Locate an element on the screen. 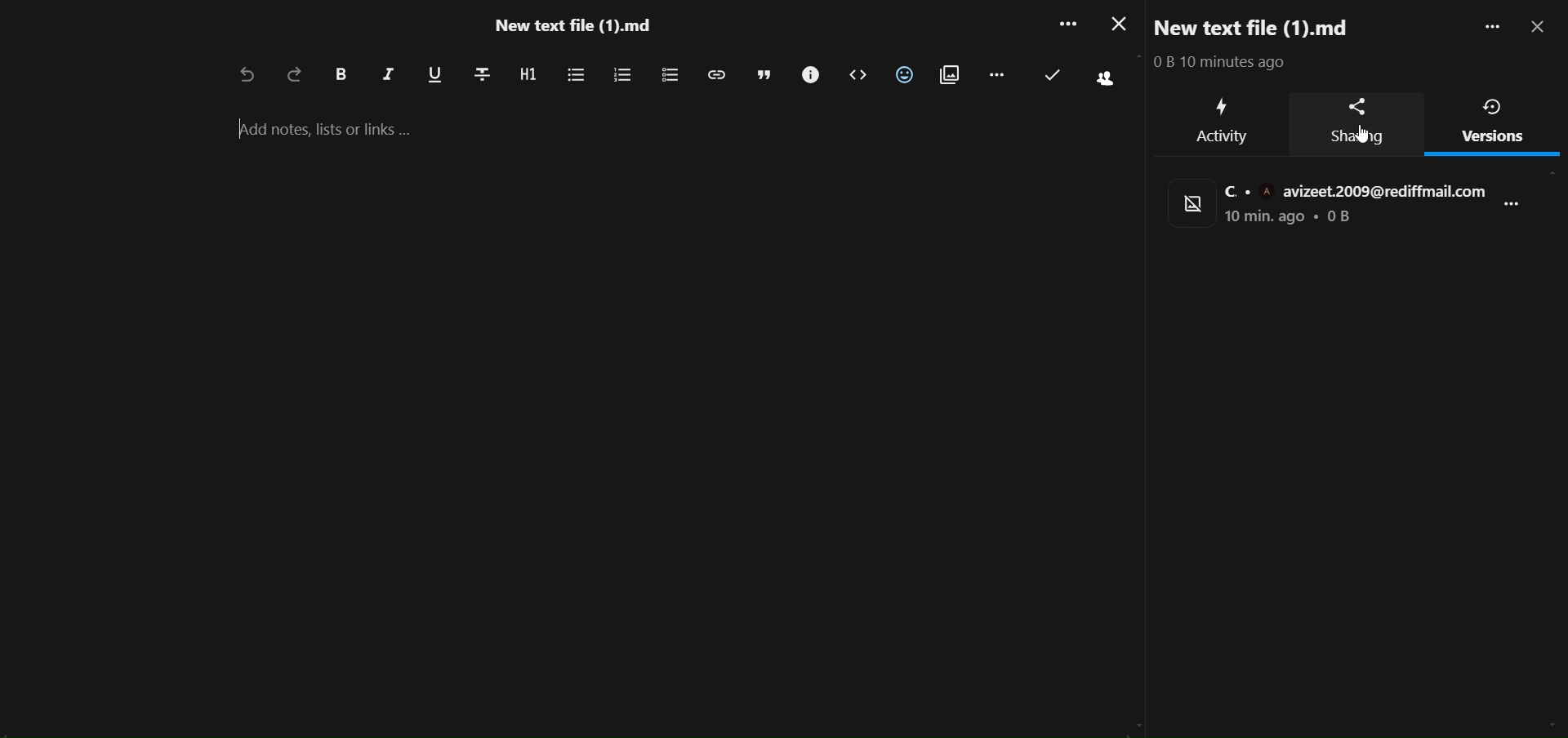 The height and width of the screenshot is (738, 1568). version is located at coordinates (1491, 139).